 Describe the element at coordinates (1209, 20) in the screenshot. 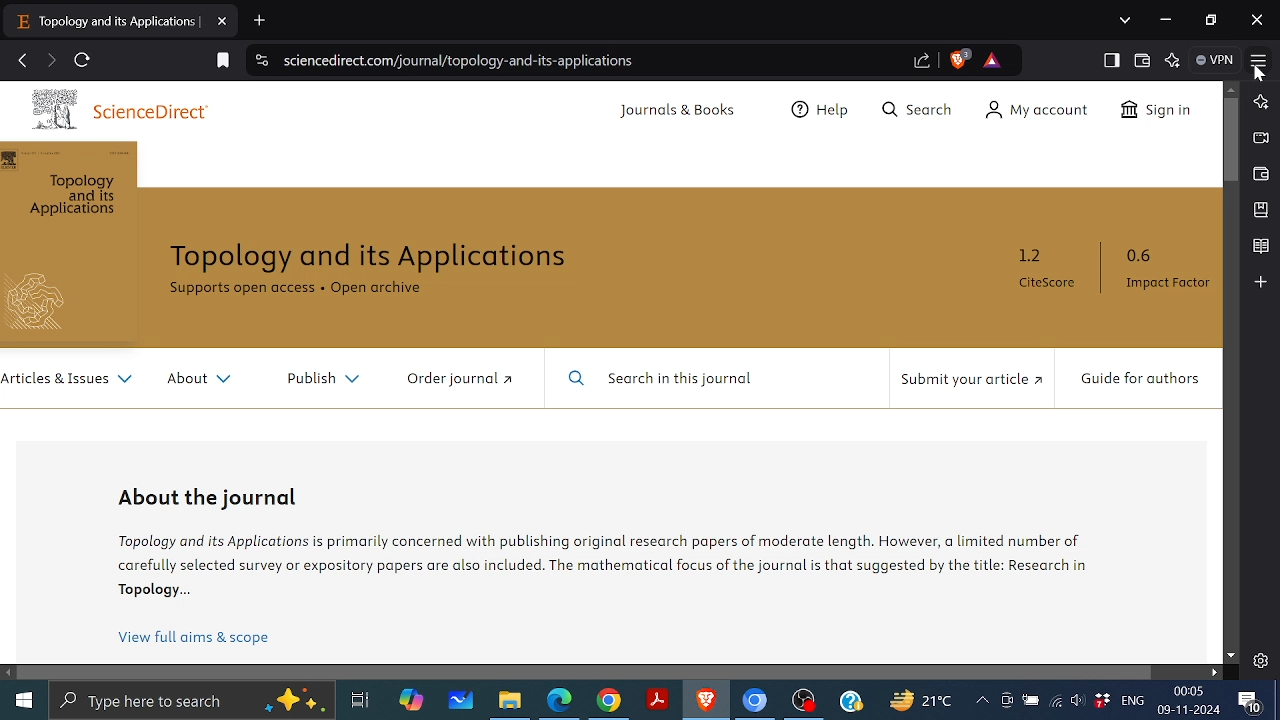

I see `Restore down` at that location.